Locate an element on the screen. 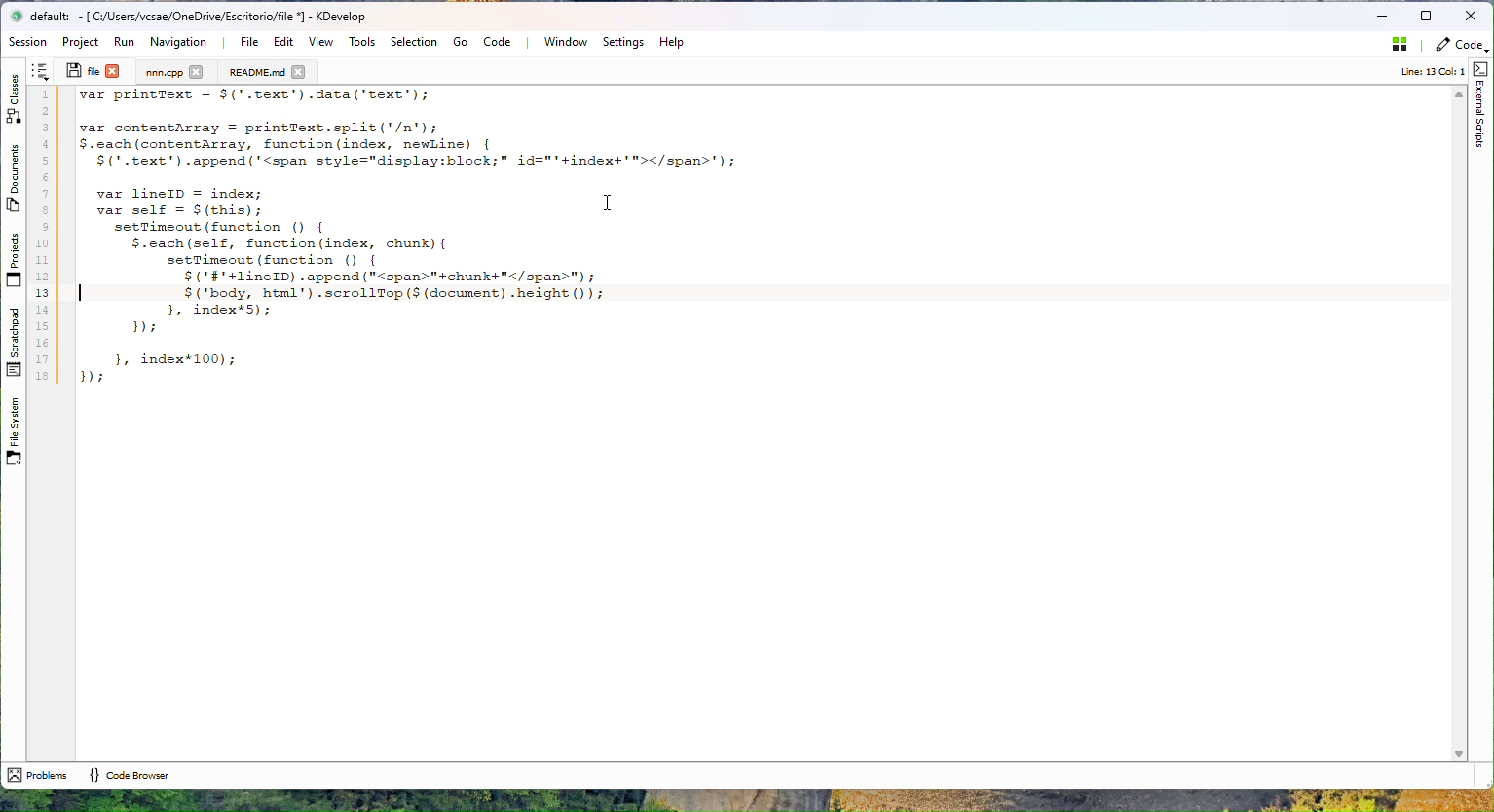 The width and height of the screenshot is (1494, 812). close is located at coordinates (113, 70).